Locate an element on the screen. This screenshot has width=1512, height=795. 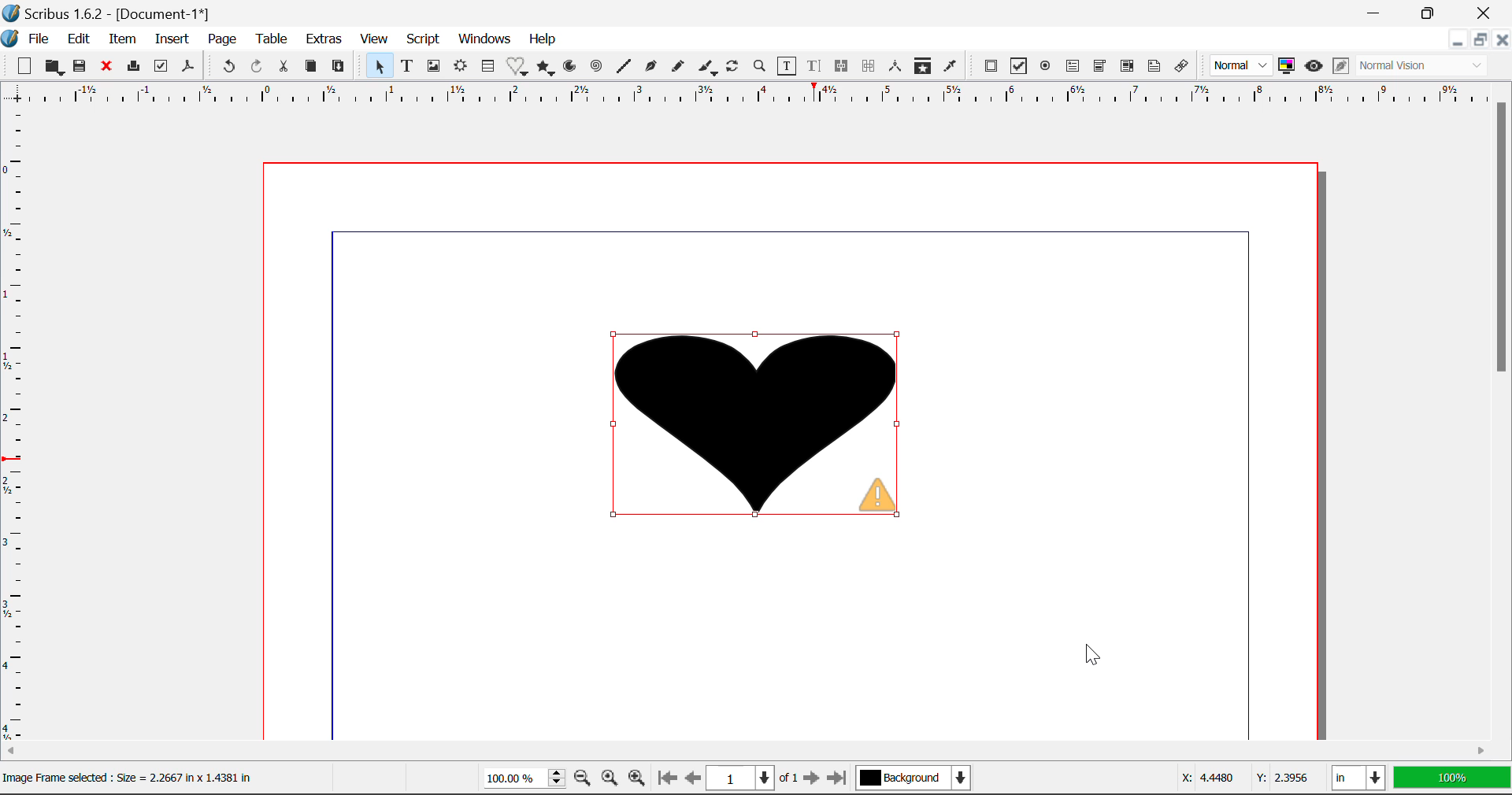
Windows is located at coordinates (485, 39).